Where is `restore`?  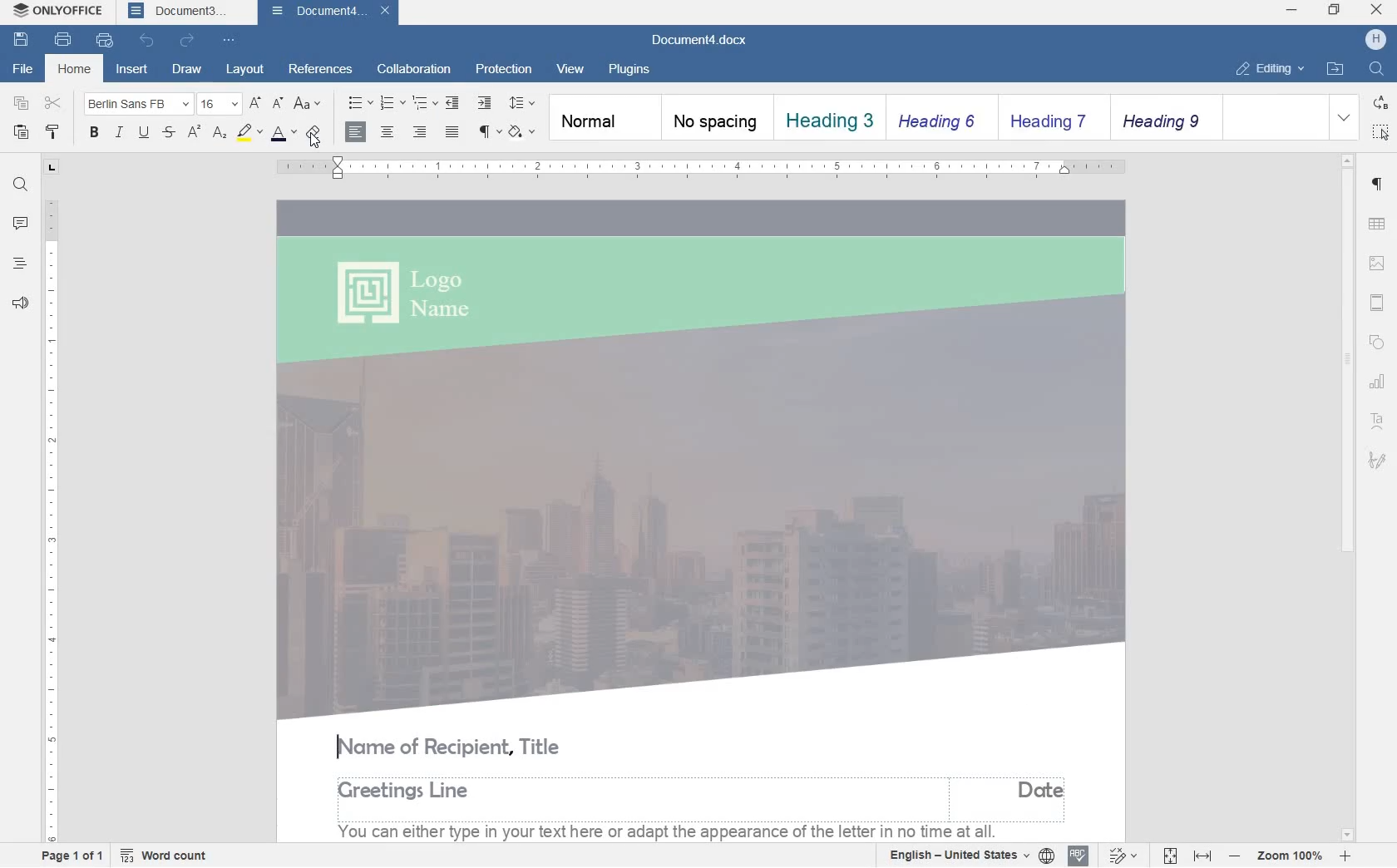
restore is located at coordinates (1335, 12).